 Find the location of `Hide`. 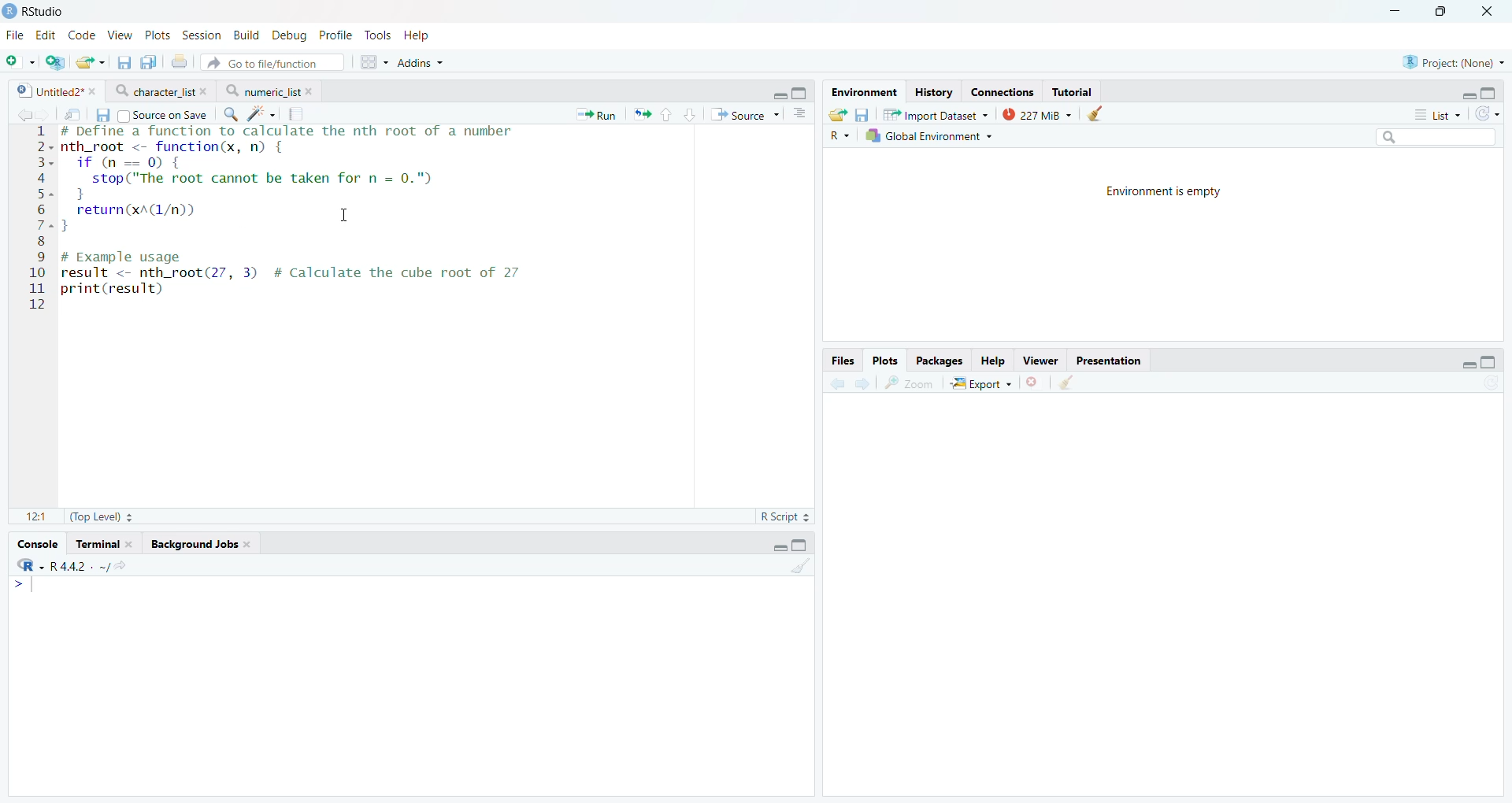

Hide is located at coordinates (778, 94).